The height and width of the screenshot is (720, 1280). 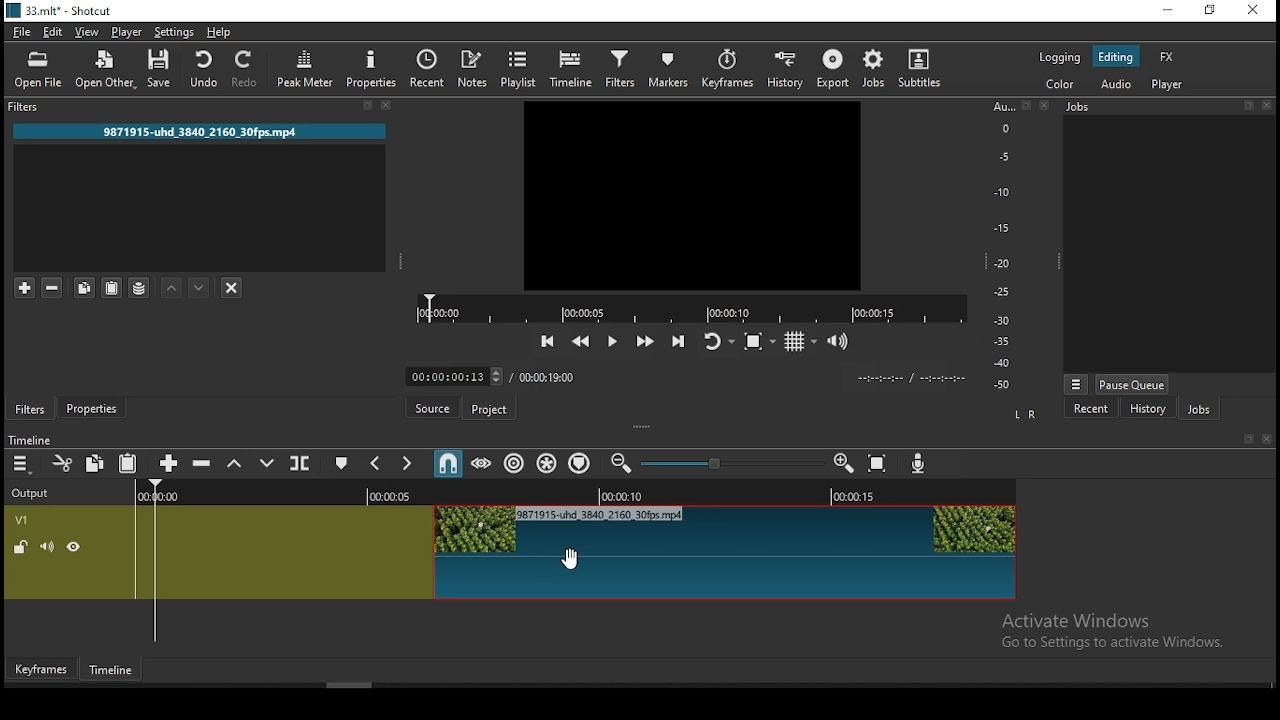 I want to click on peak meter, so click(x=305, y=70).